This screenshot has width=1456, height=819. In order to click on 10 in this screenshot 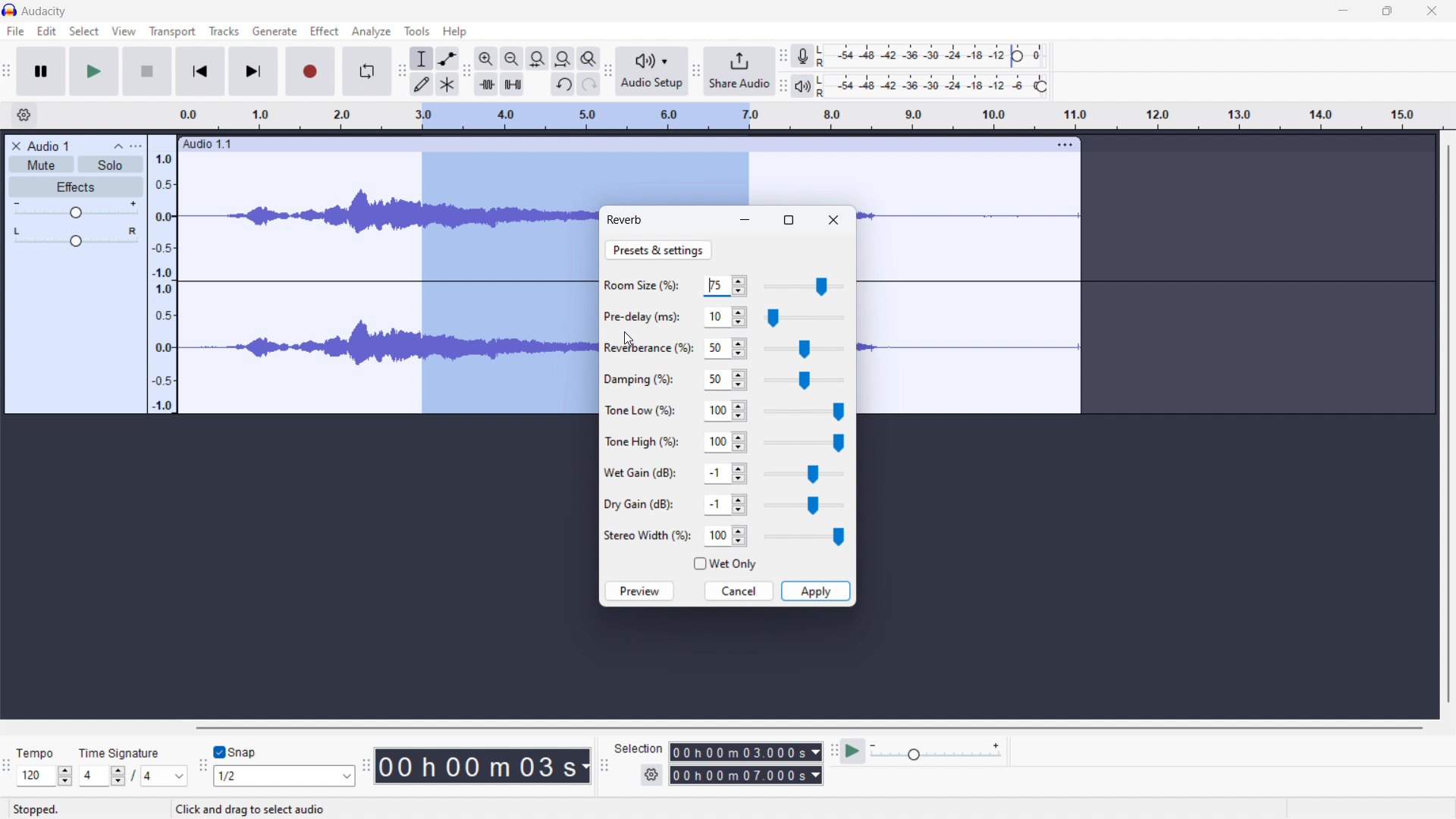, I will do `click(726, 319)`.